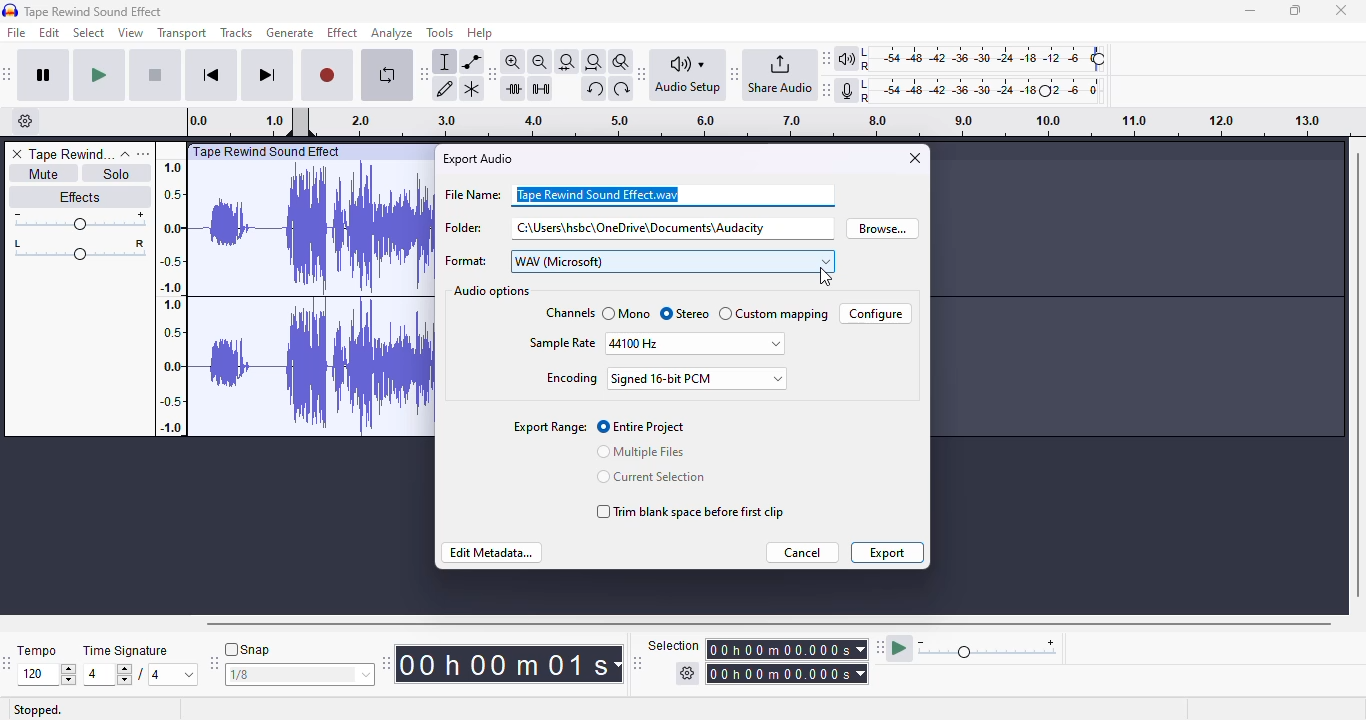  Describe the element at coordinates (393, 33) in the screenshot. I see `analyze` at that location.